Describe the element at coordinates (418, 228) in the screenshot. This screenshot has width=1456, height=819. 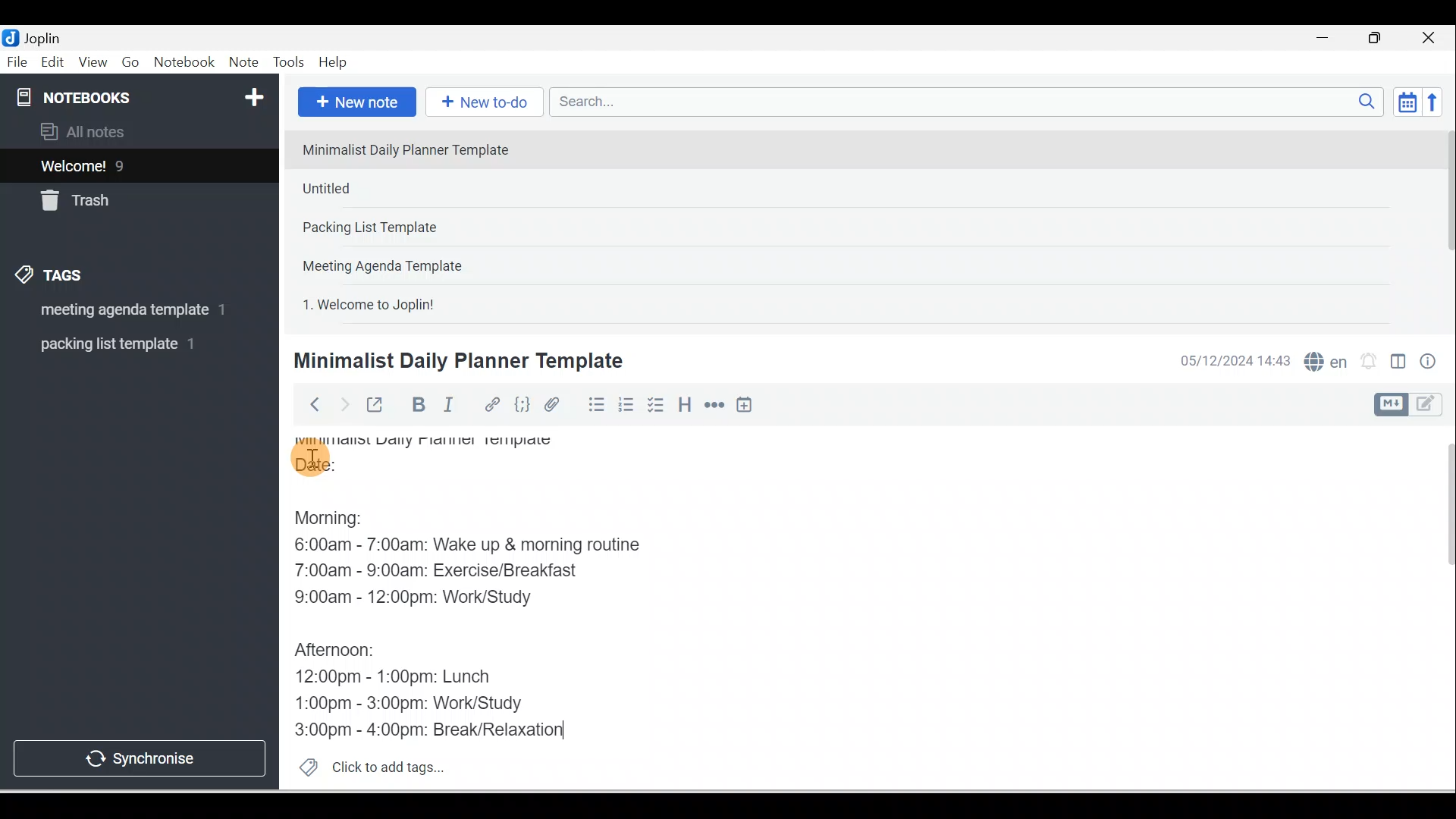
I see `Note 3` at that location.